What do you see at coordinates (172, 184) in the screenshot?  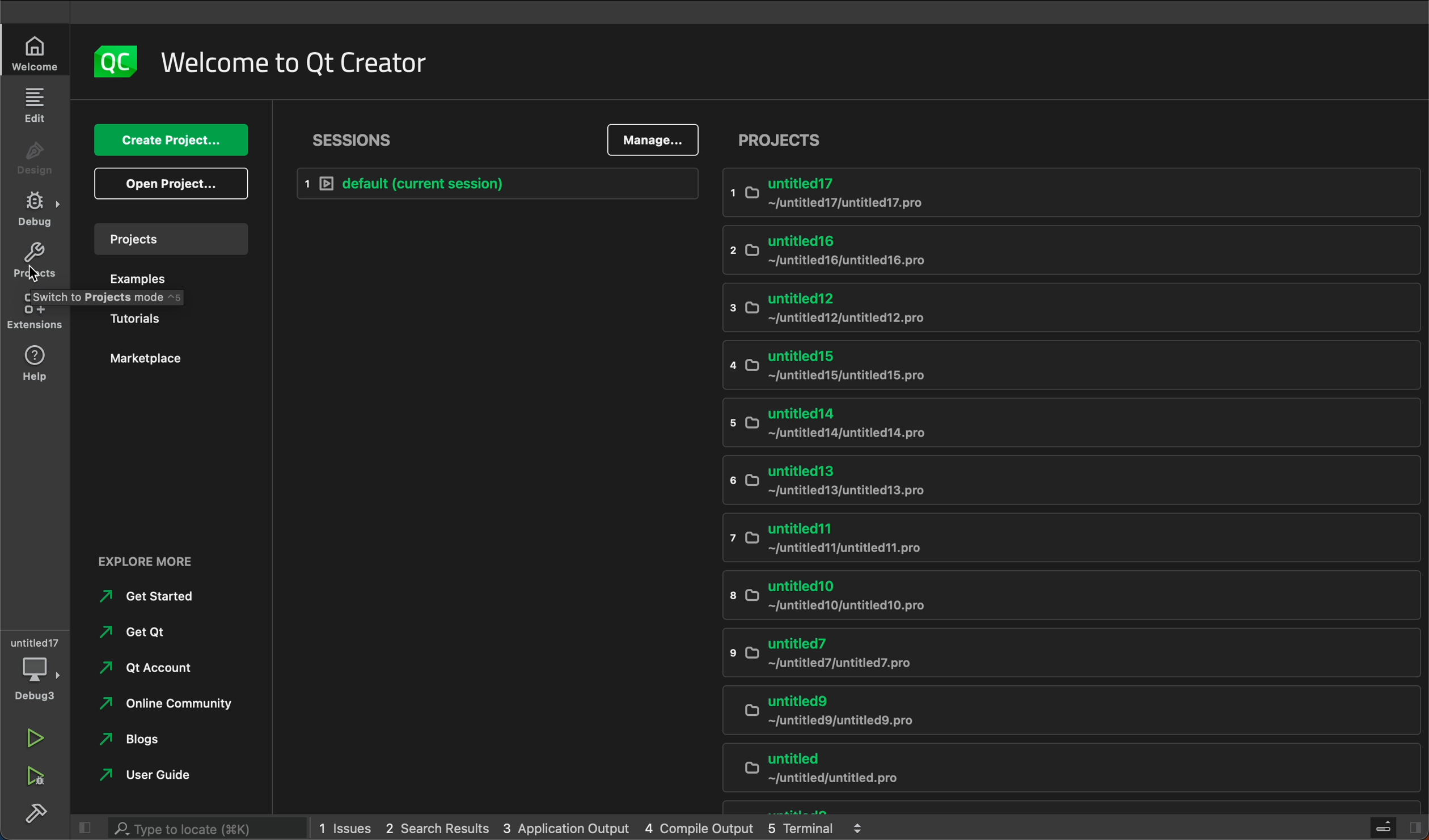 I see `open` at bounding box center [172, 184].